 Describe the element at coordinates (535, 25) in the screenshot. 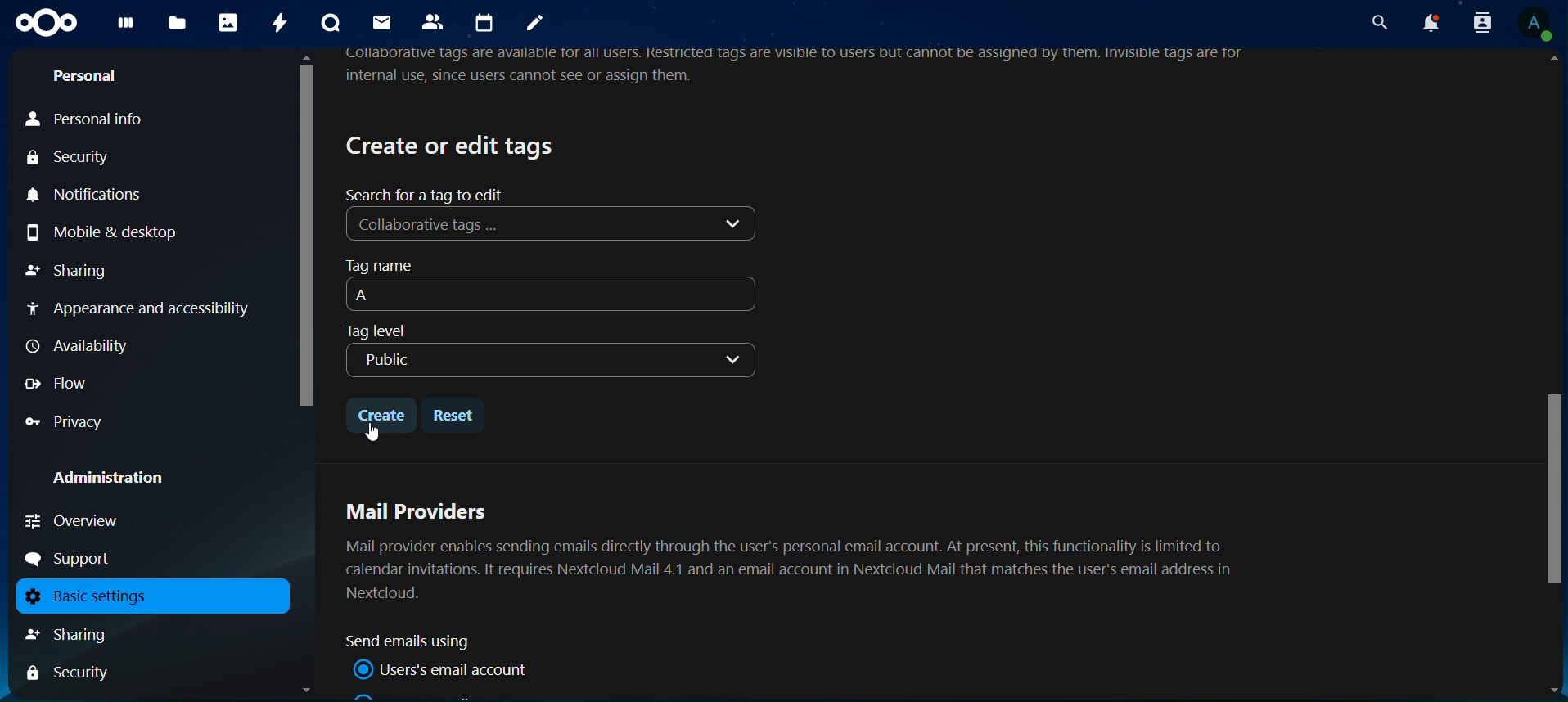

I see `notes` at that location.